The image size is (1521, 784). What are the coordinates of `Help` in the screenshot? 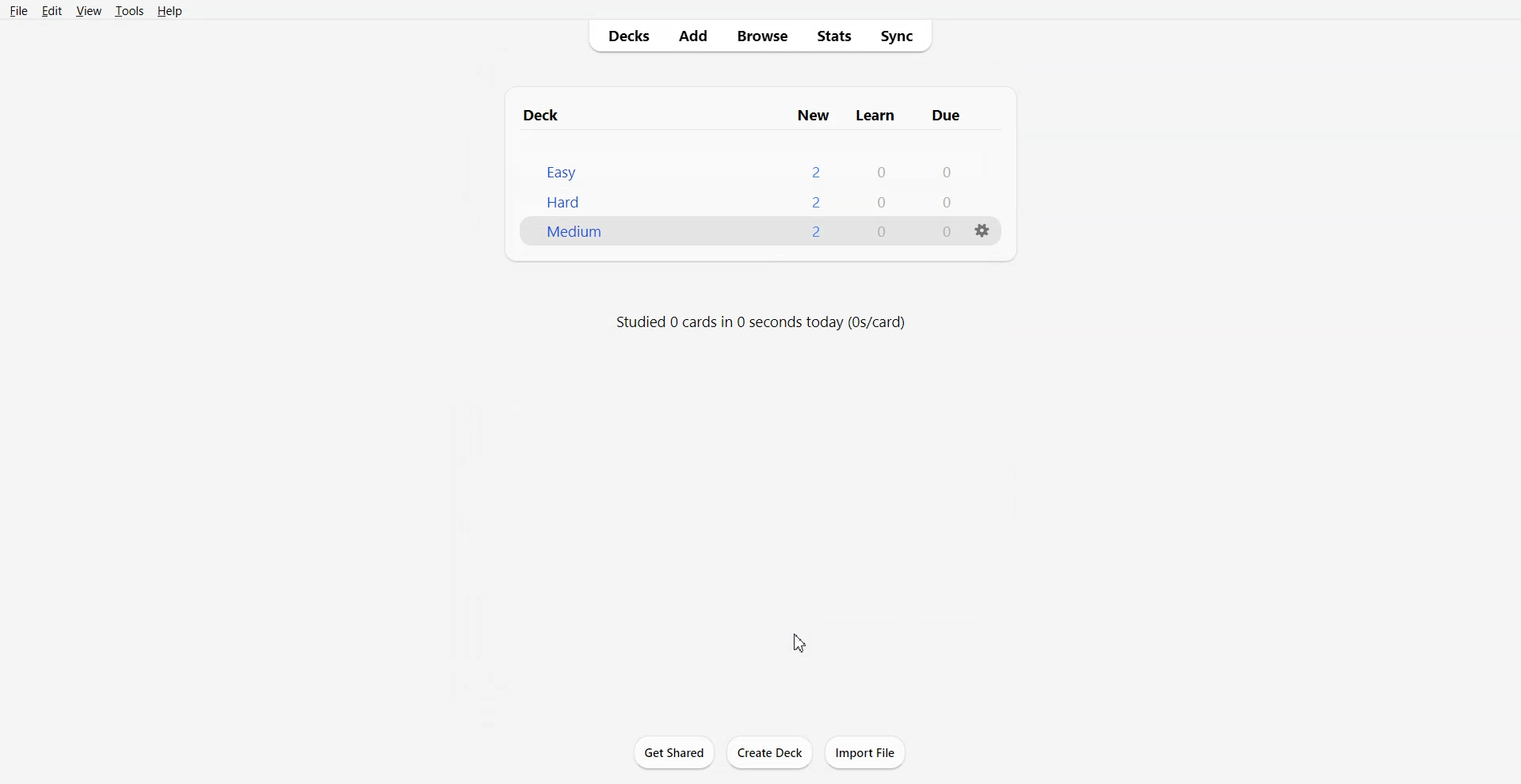 It's located at (171, 11).